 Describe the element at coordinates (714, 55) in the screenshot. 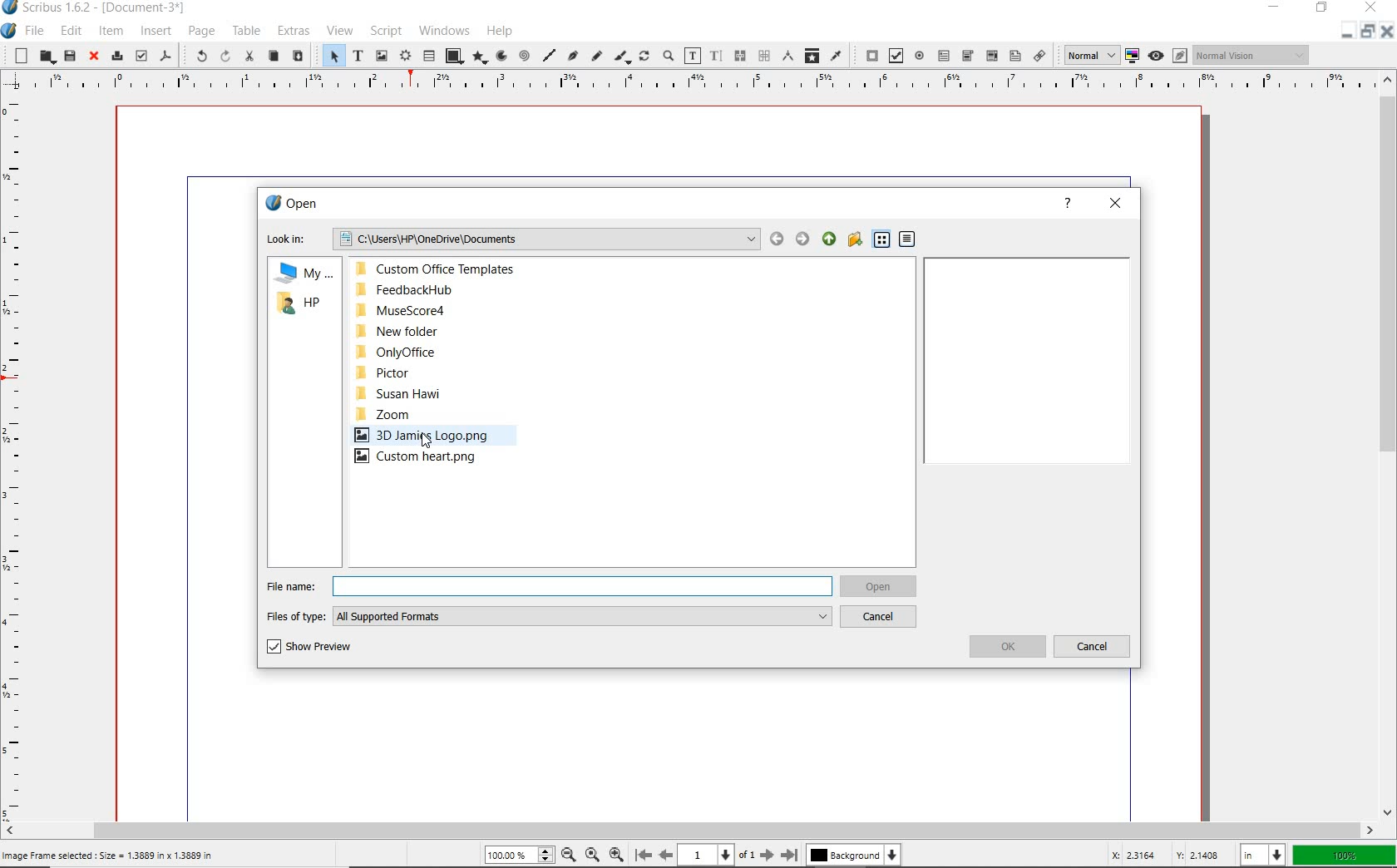

I see `edit text with story editor` at that location.